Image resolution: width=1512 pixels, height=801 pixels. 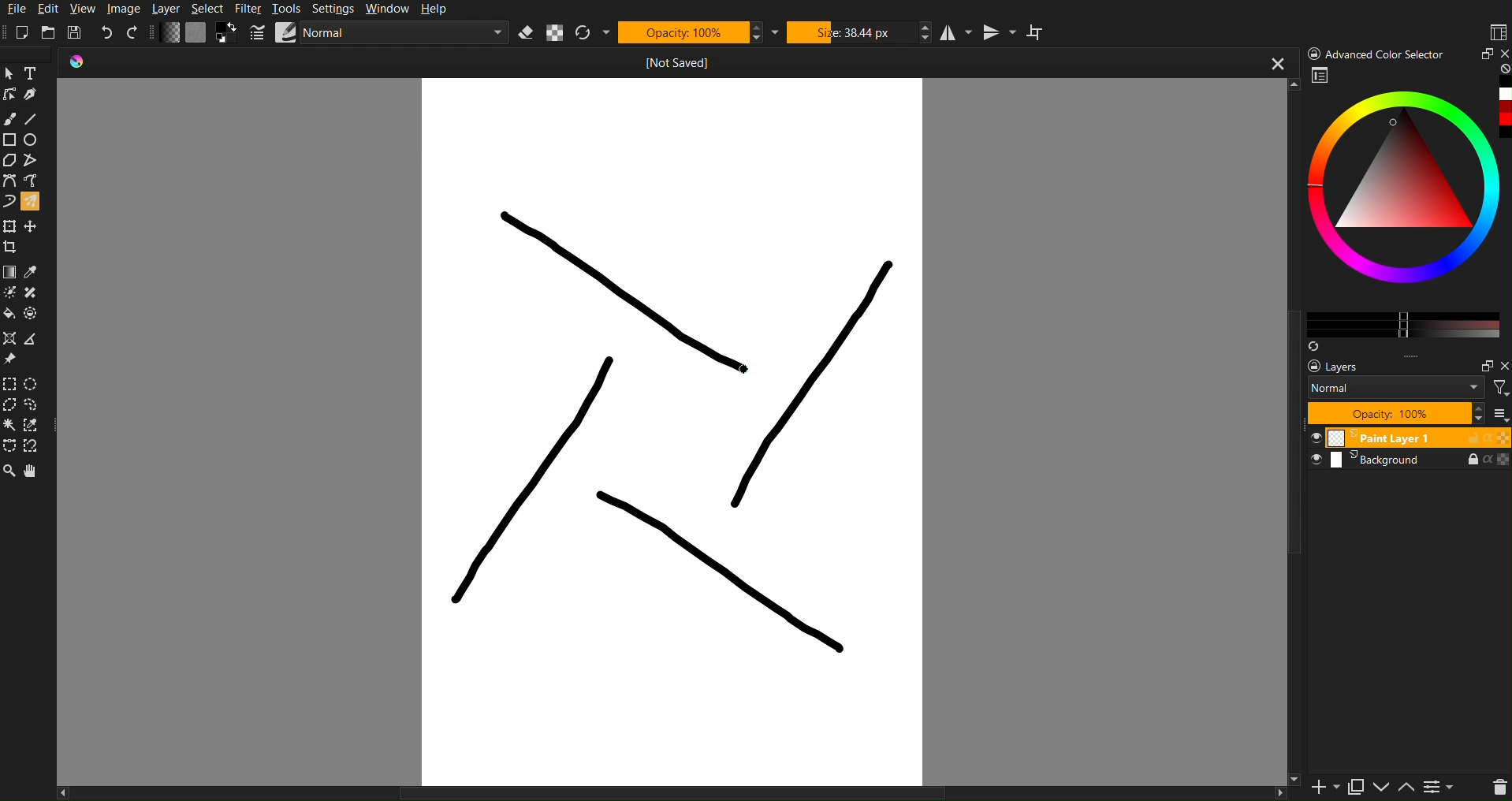 I want to click on Save, so click(x=74, y=31).